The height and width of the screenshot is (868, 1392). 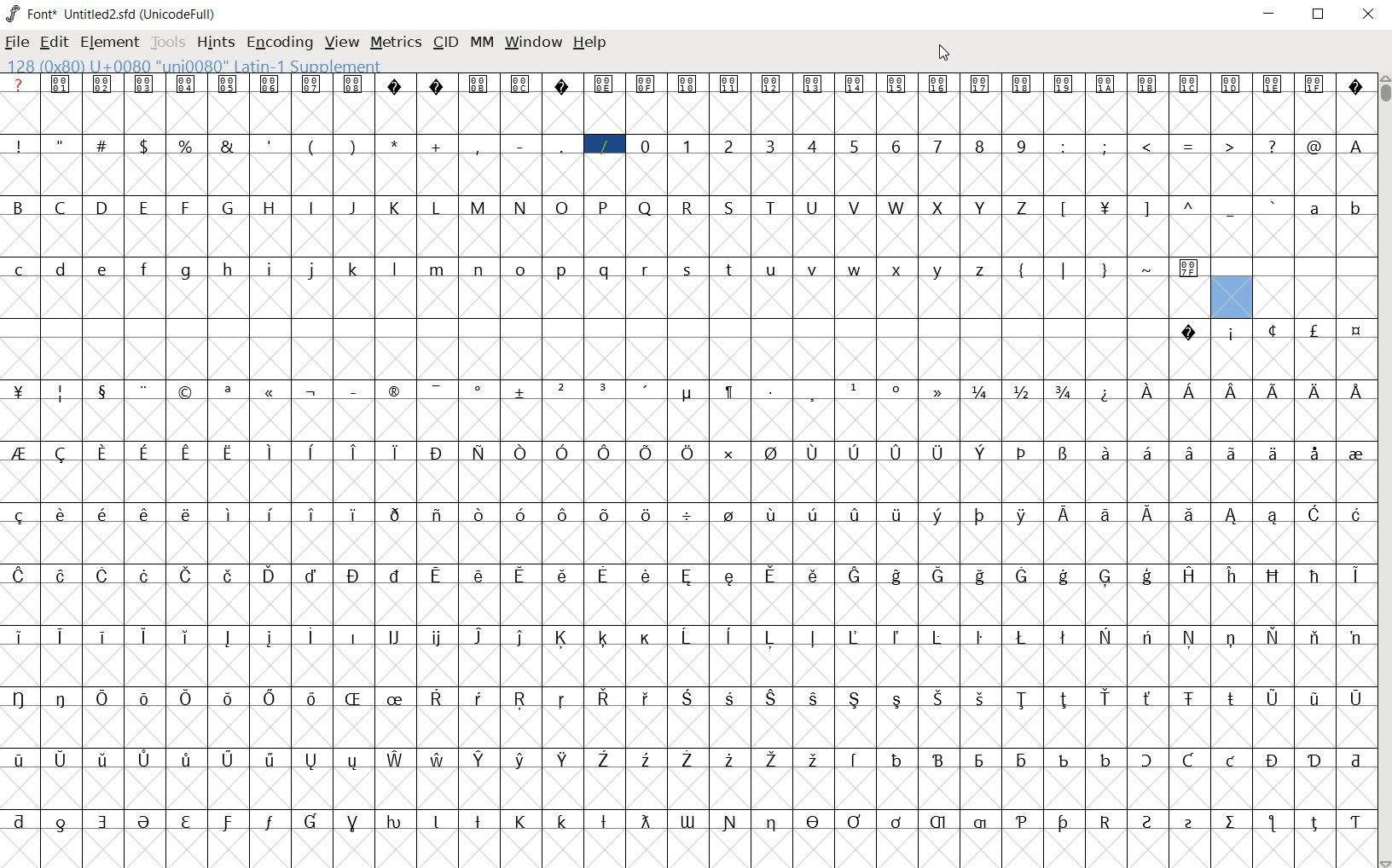 What do you see at coordinates (1147, 146) in the screenshot?
I see `glyph` at bounding box center [1147, 146].